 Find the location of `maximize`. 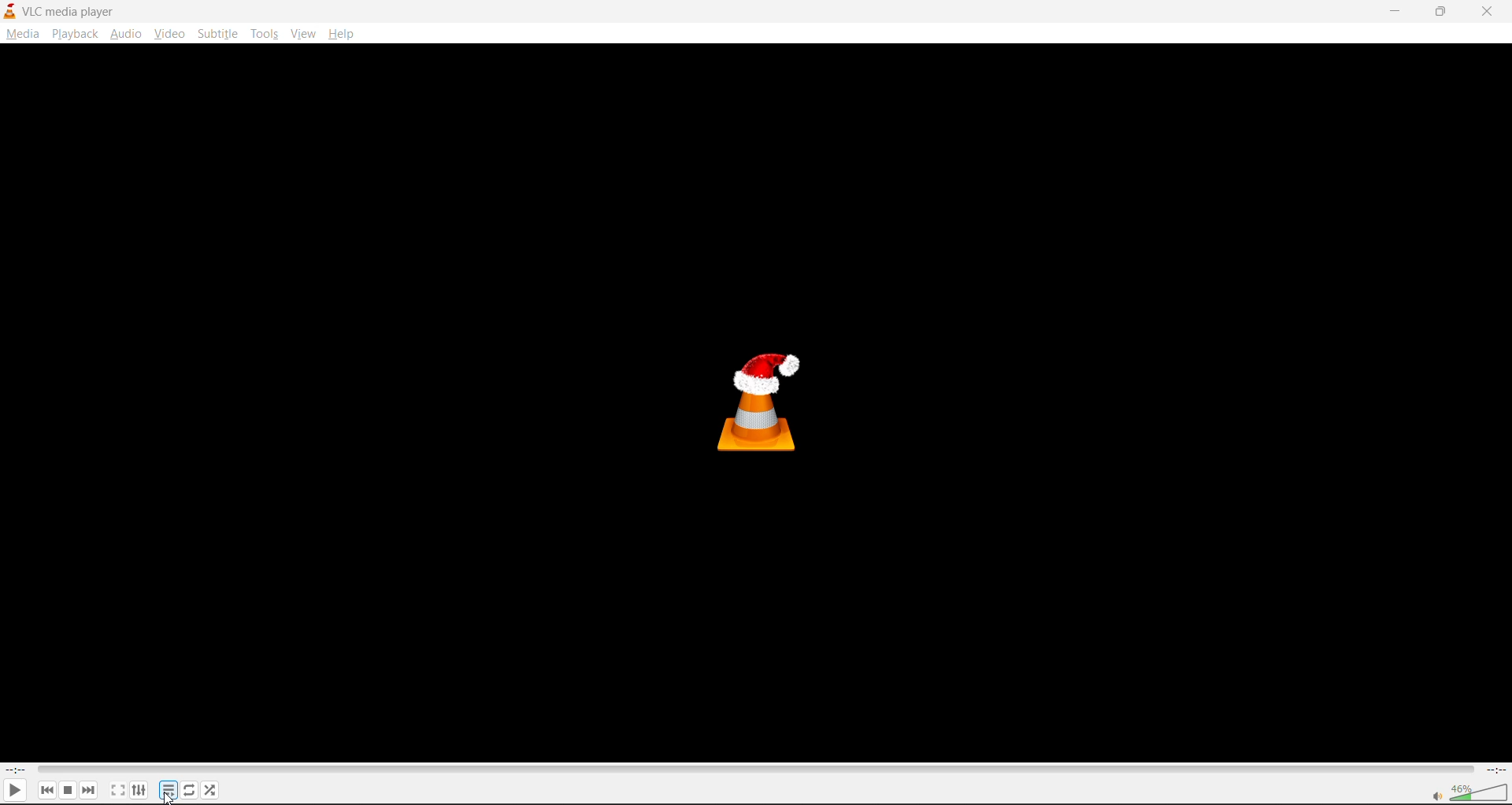

maximize is located at coordinates (1440, 13).